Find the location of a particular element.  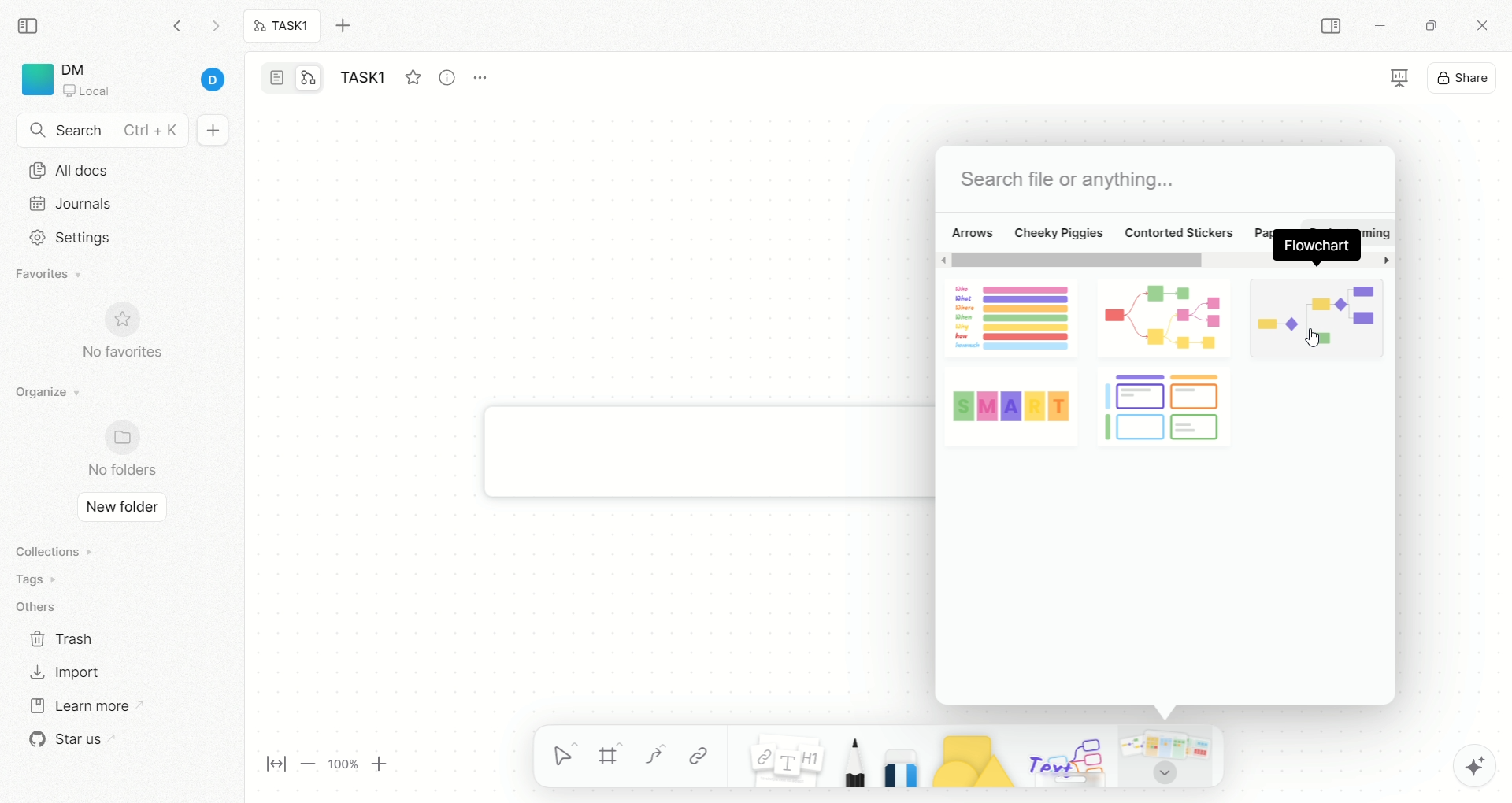

no favorites is located at coordinates (130, 340).